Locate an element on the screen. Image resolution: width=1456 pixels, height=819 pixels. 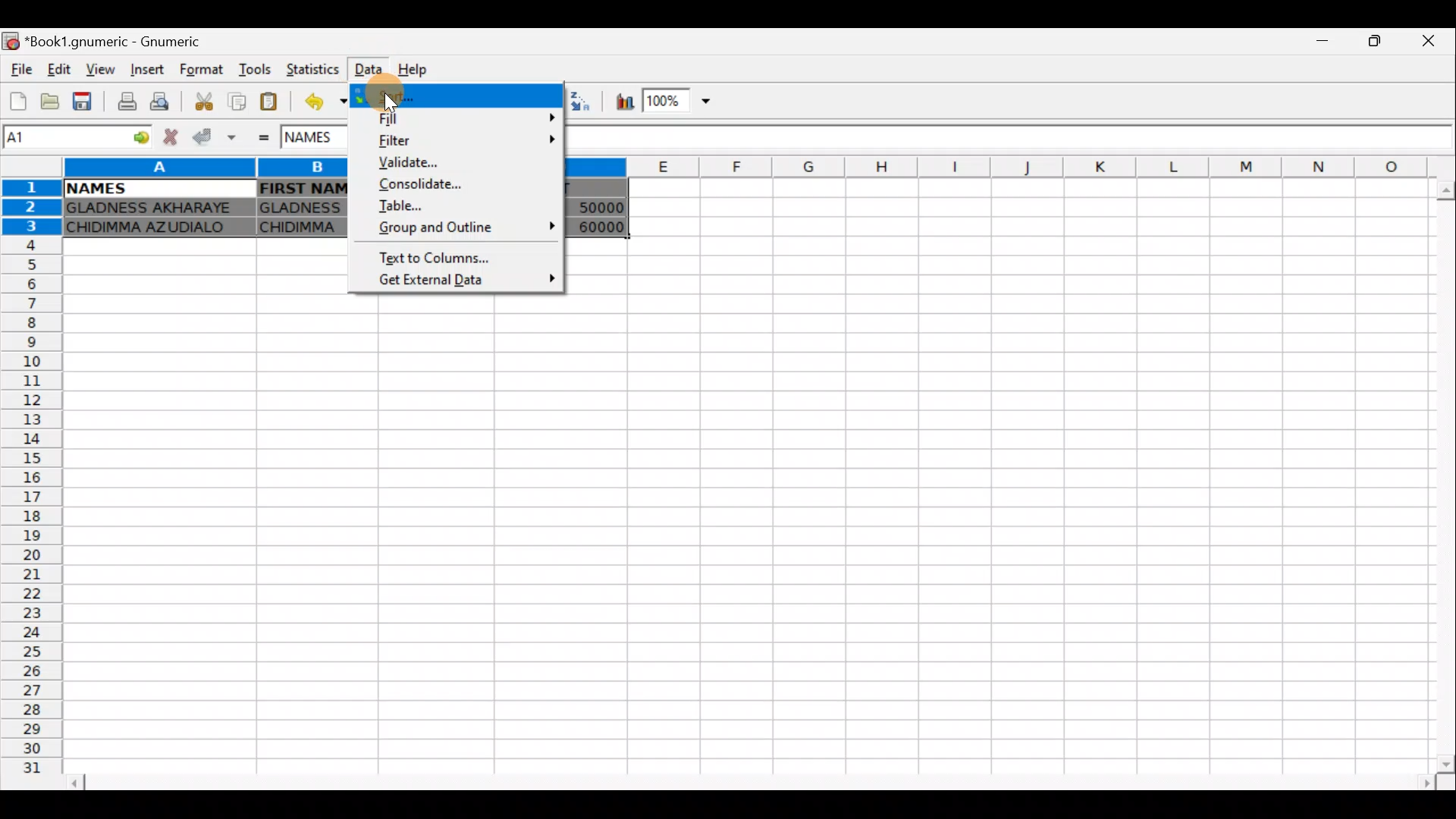
Cancel change is located at coordinates (168, 138).